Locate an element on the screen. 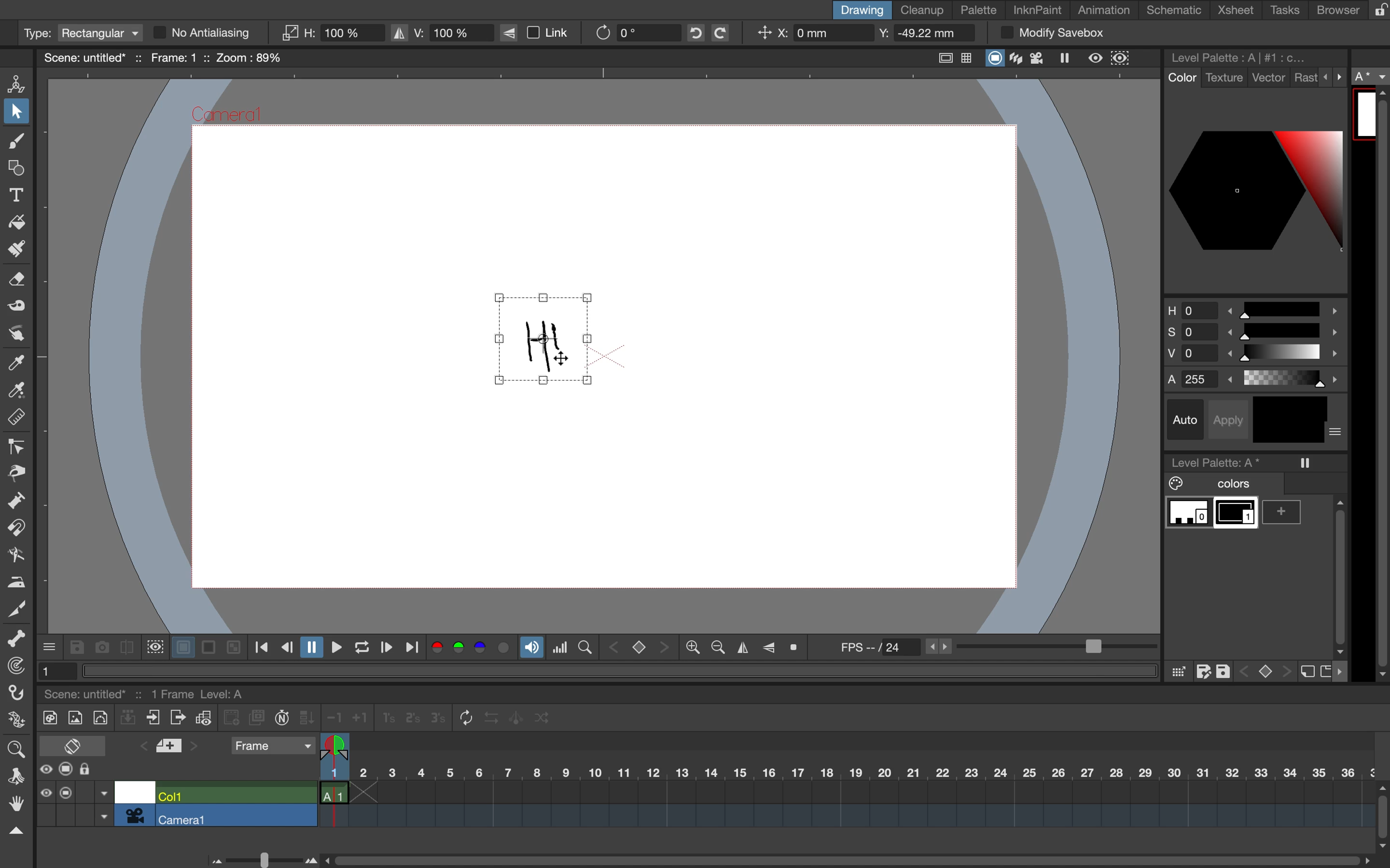 The height and width of the screenshot is (868, 1390). type tool is located at coordinates (17, 192).